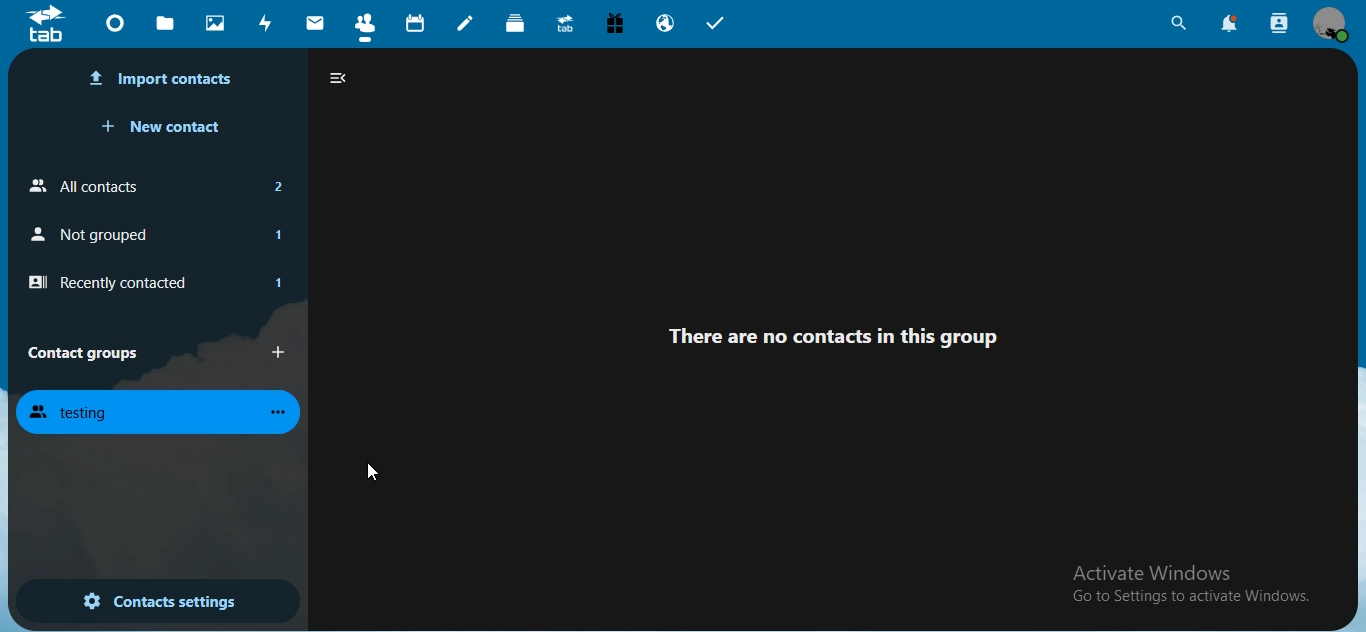 This screenshot has width=1366, height=632. What do you see at coordinates (466, 23) in the screenshot?
I see `notes` at bounding box center [466, 23].